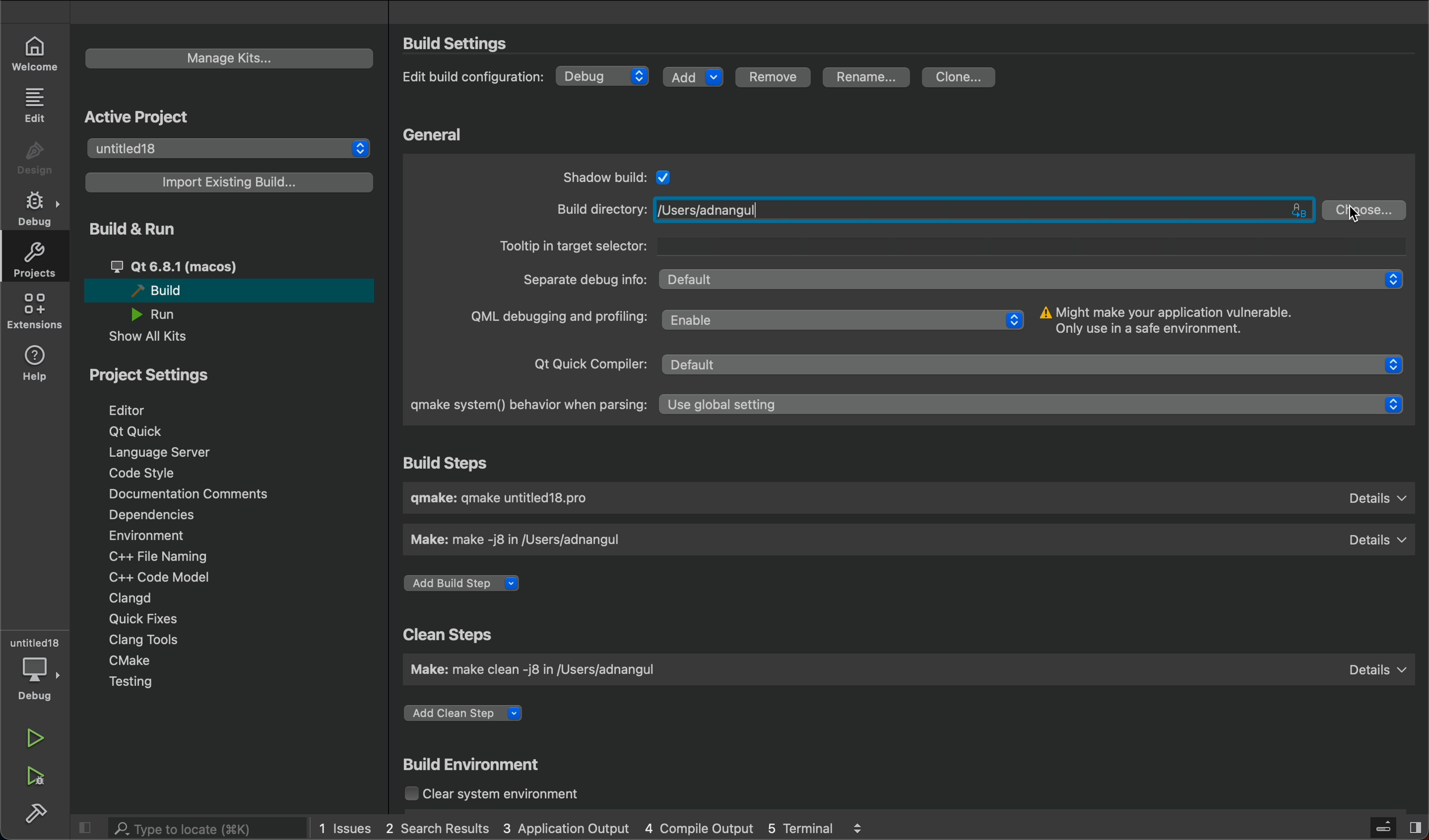  I want to click on logs          , so click(865, 827).